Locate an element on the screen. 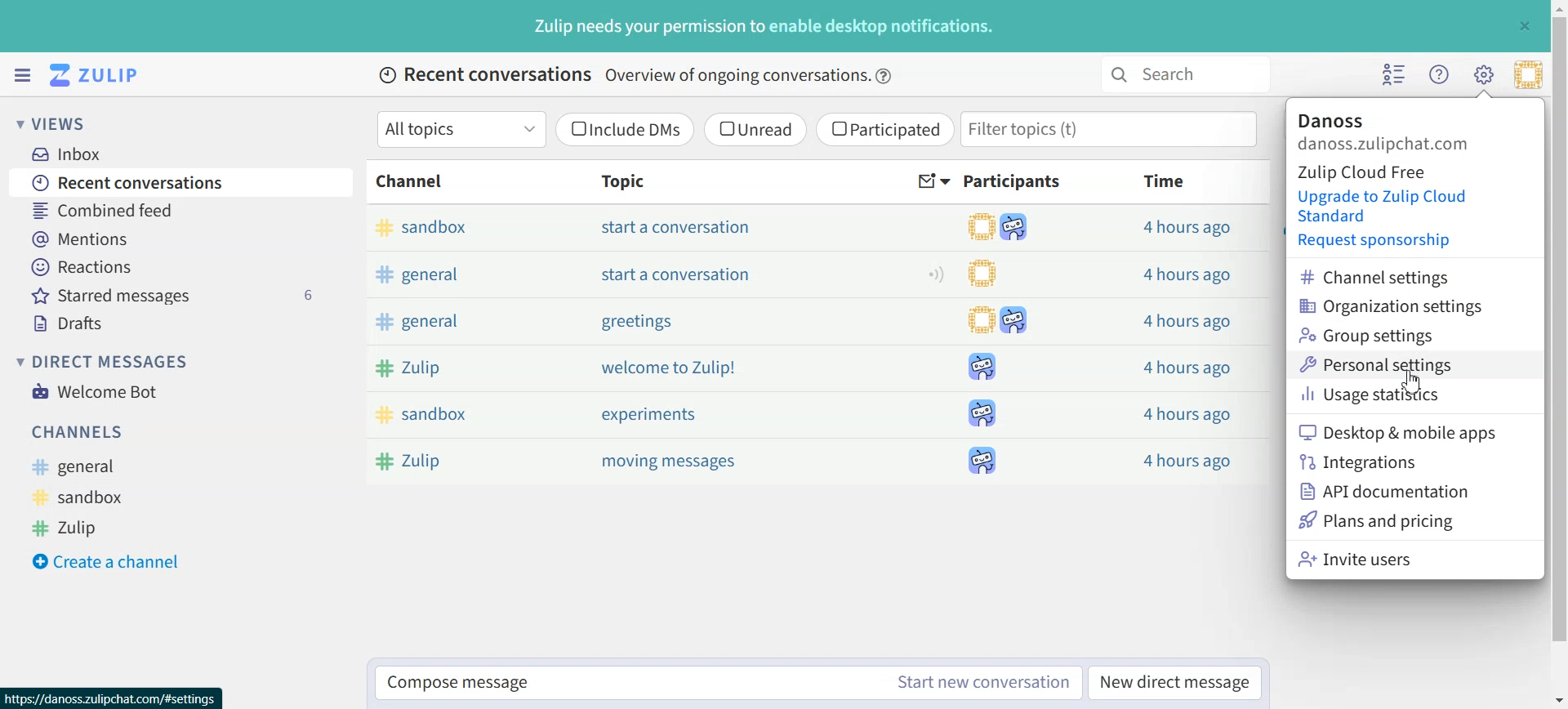 The image size is (1568, 709). #Zulip is located at coordinates (470, 369).